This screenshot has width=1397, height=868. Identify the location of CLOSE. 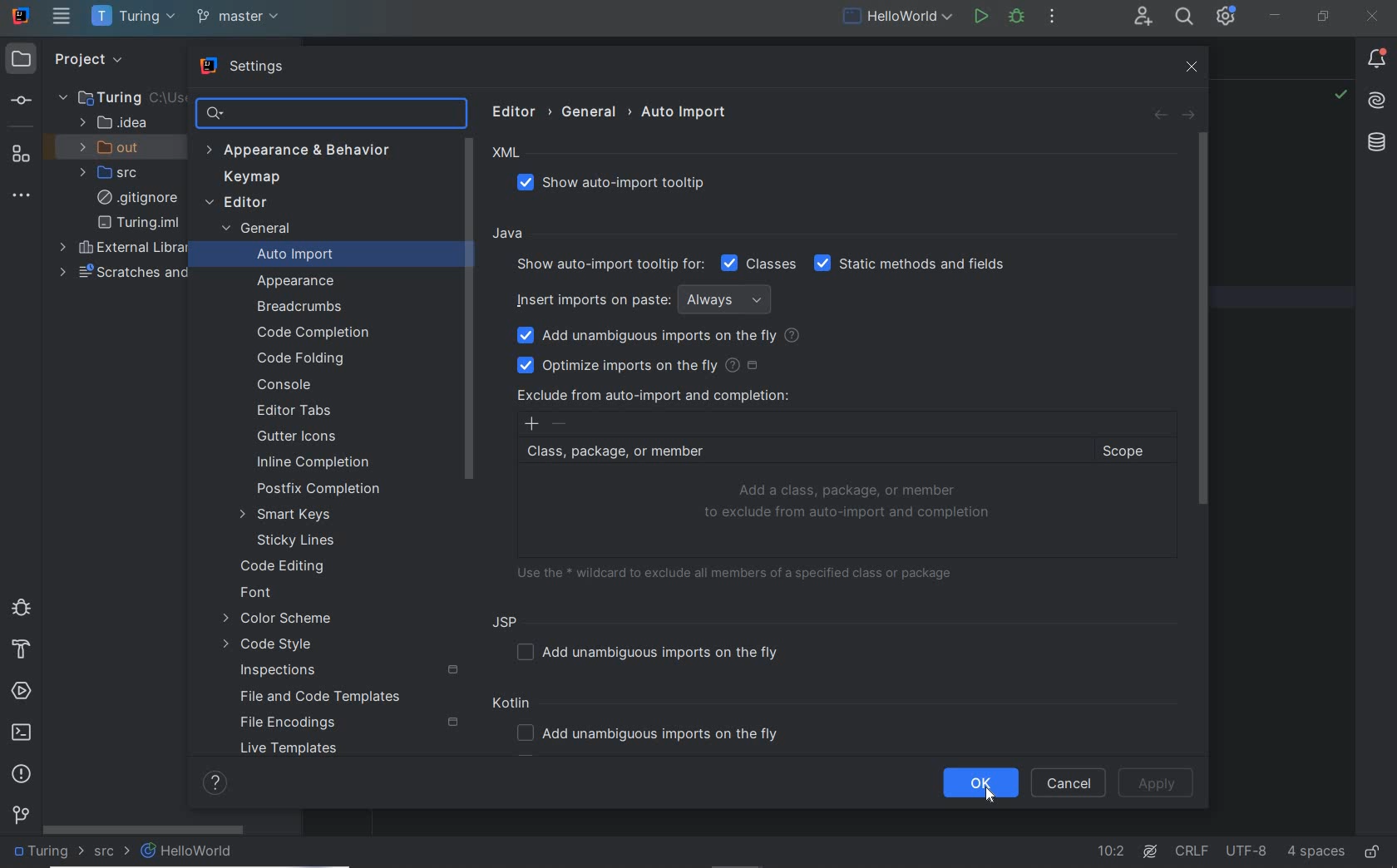
(1370, 17).